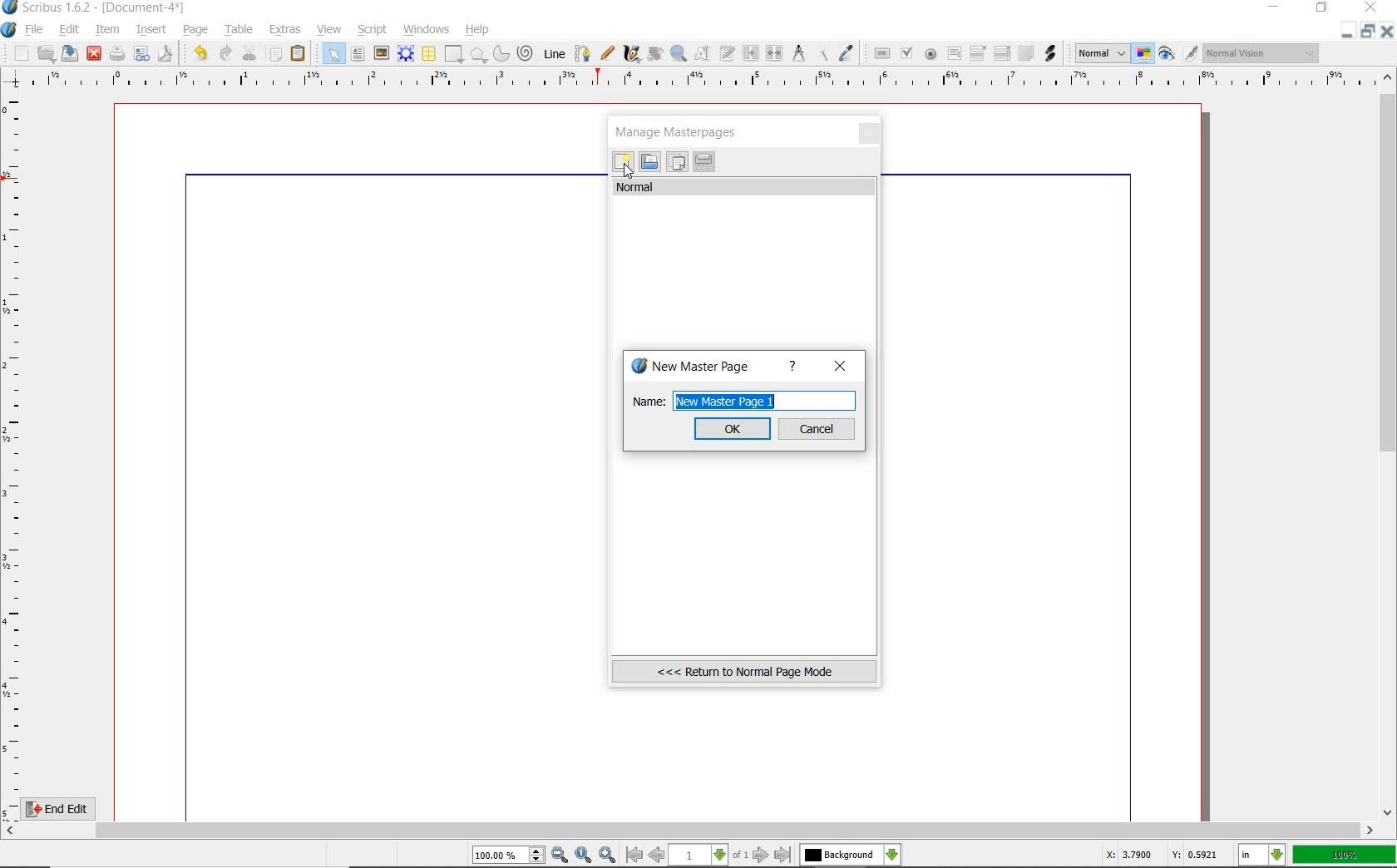 The image size is (1397, 868). Describe the element at coordinates (1262, 55) in the screenshot. I see `Normal Vision` at that location.